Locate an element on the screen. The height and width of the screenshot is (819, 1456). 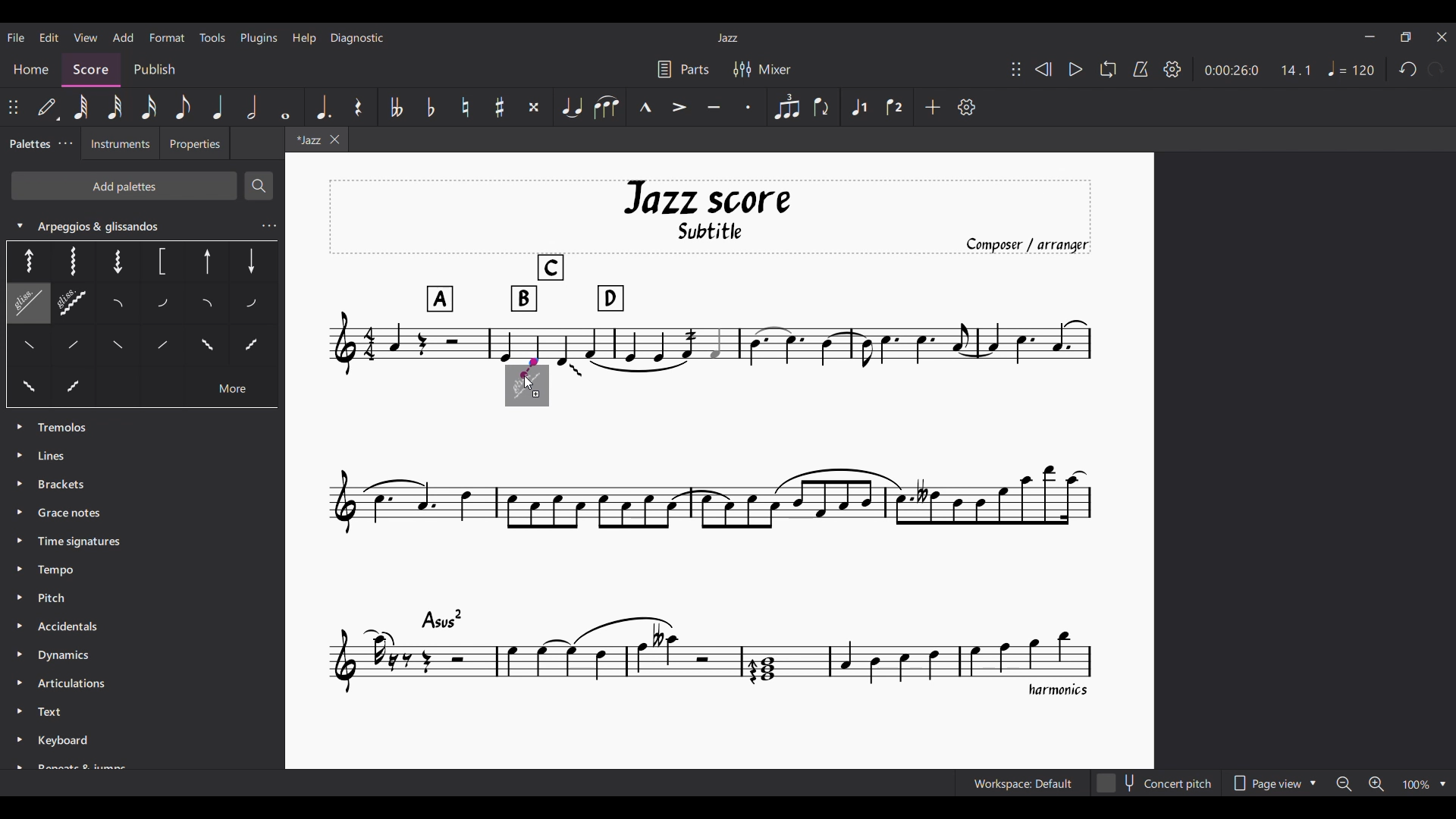
Palate 18 is located at coordinates (28, 388).